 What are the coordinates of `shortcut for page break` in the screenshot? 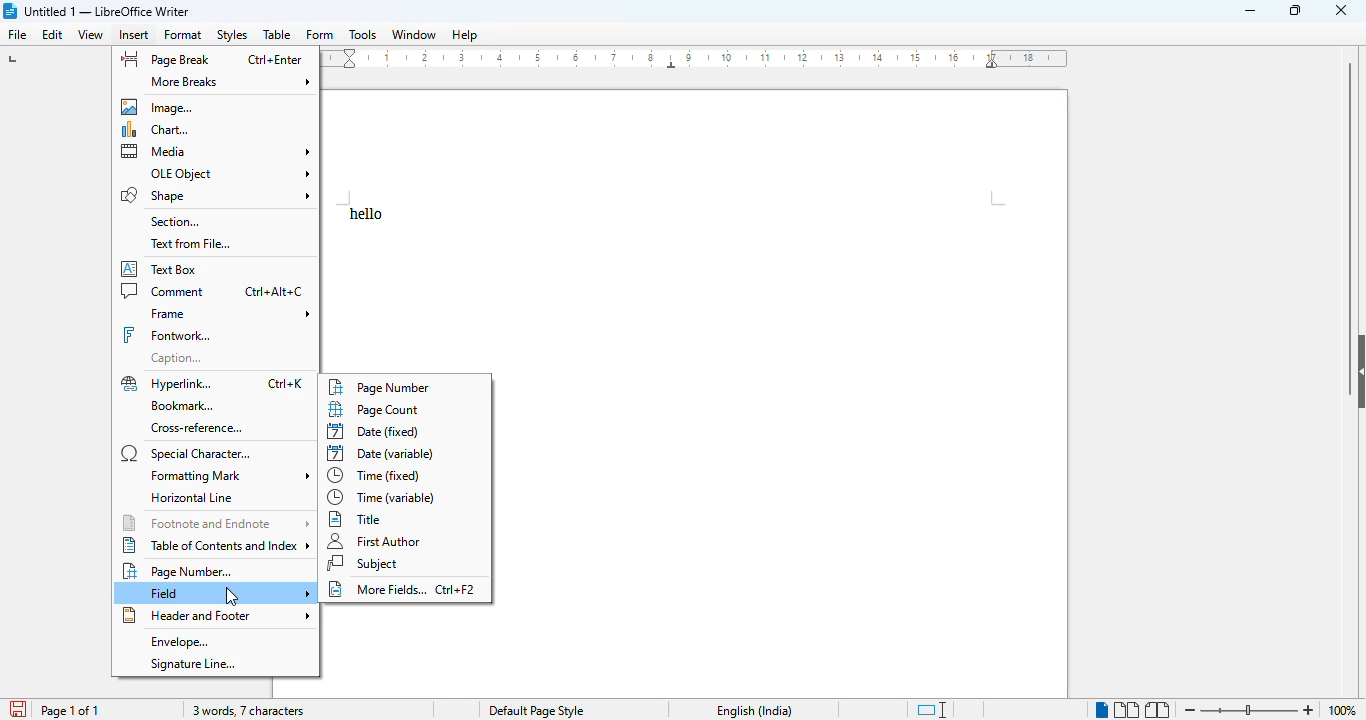 It's located at (274, 60).